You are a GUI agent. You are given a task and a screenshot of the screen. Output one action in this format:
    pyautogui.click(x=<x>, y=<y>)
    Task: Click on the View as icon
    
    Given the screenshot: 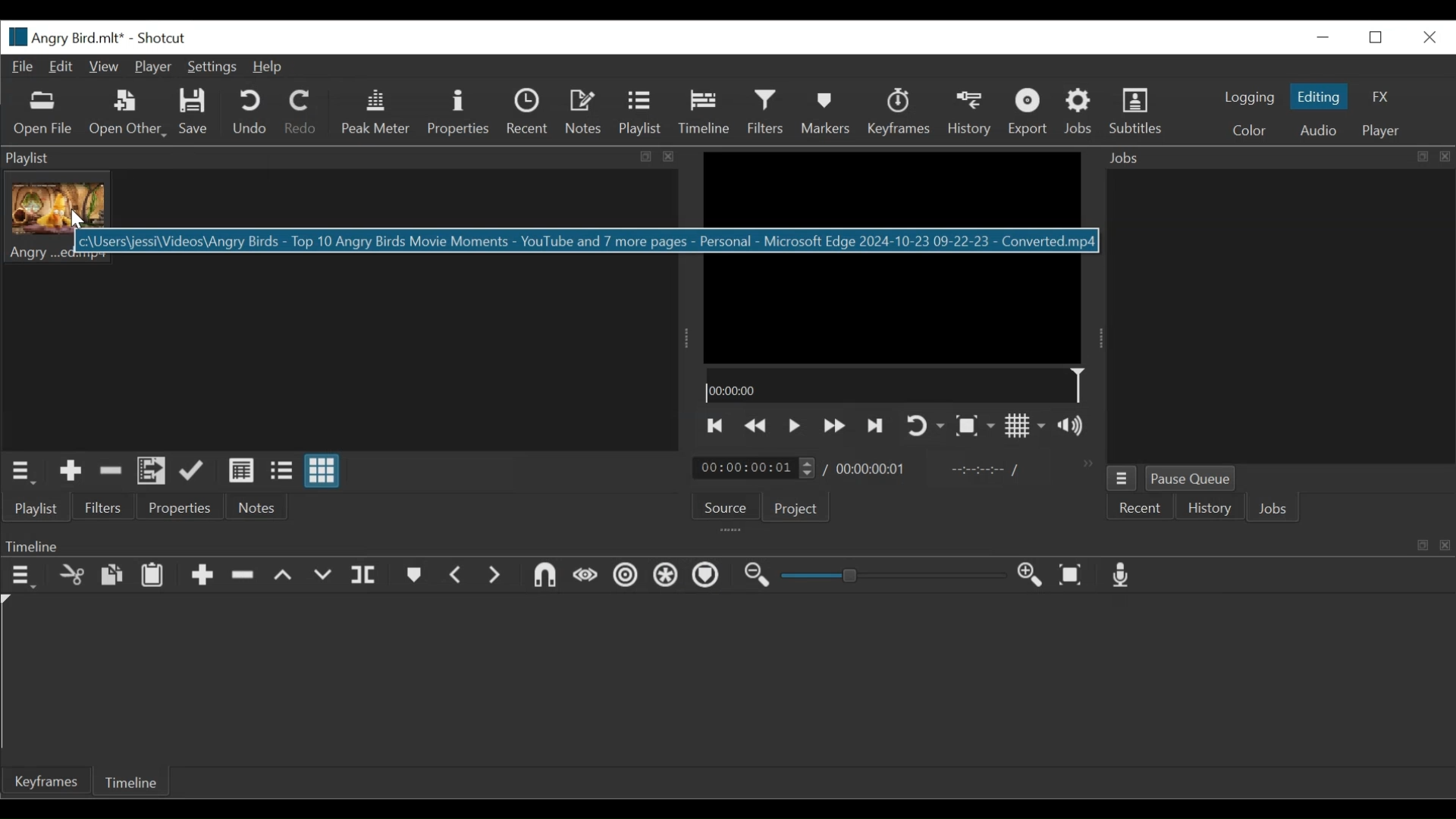 What is the action you would take?
    pyautogui.click(x=322, y=471)
    